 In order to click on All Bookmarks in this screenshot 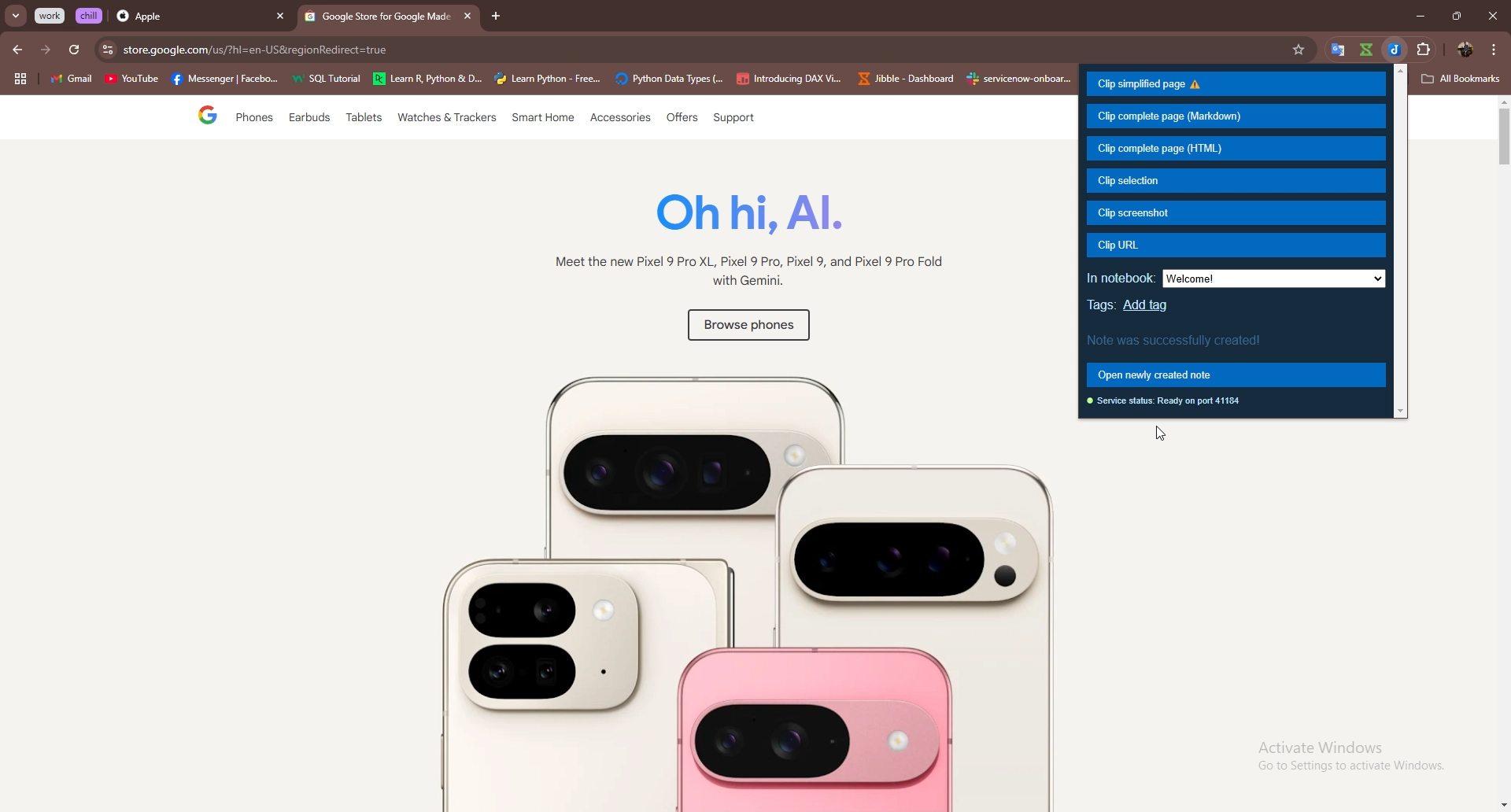, I will do `click(1462, 79)`.